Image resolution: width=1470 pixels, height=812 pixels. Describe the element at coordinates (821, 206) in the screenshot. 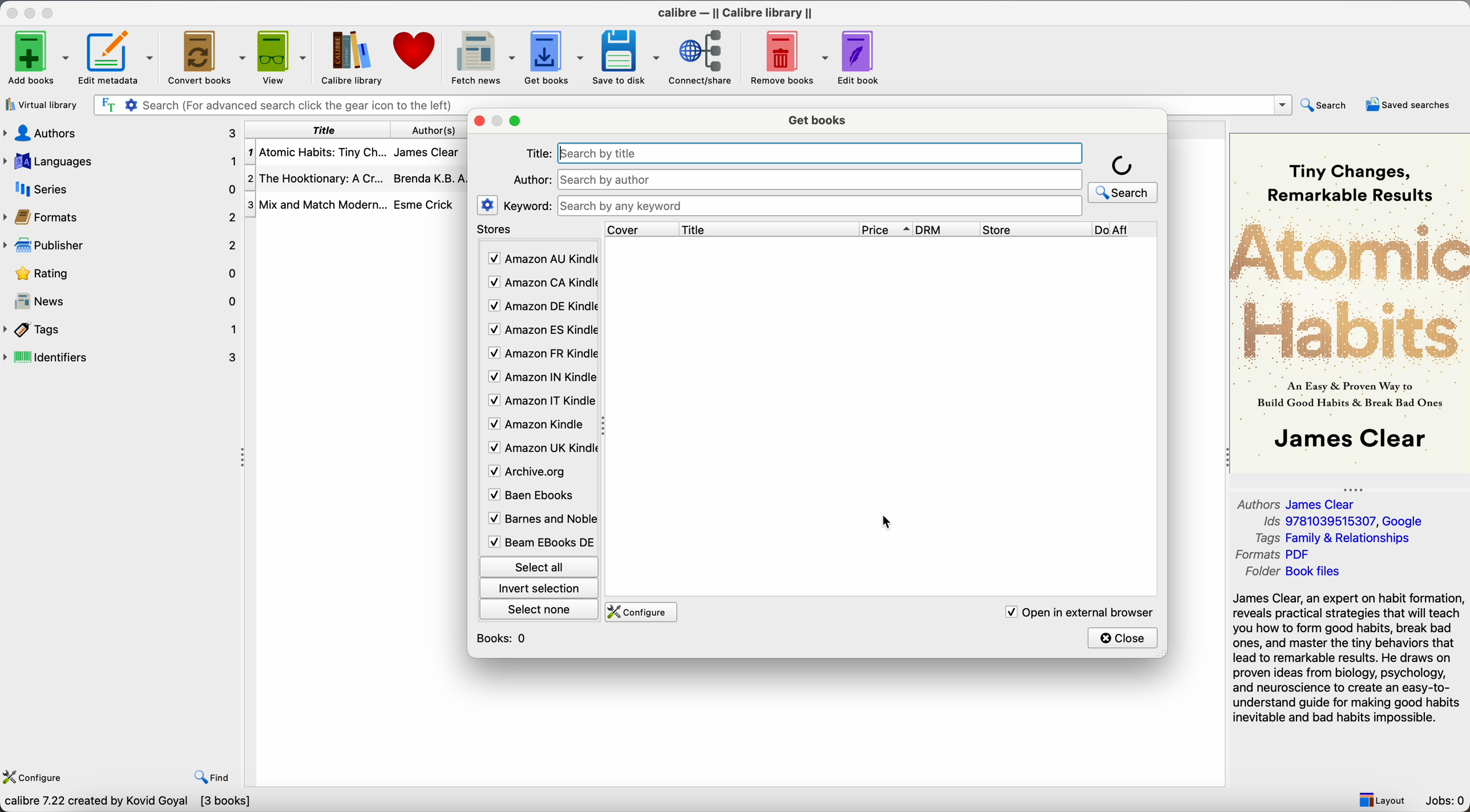

I see `search bar` at that location.